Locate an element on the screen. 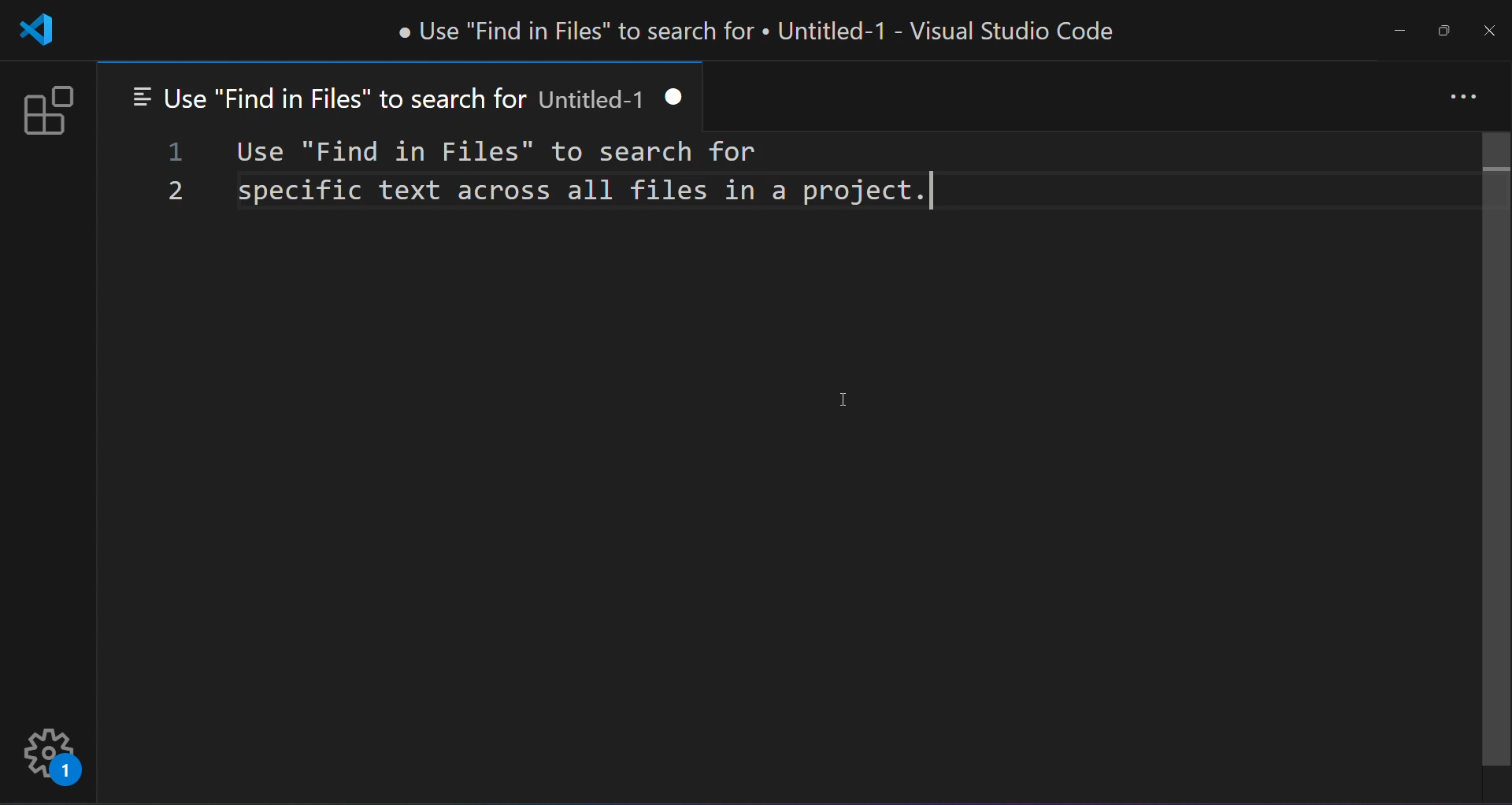  close tab is located at coordinates (683, 98).